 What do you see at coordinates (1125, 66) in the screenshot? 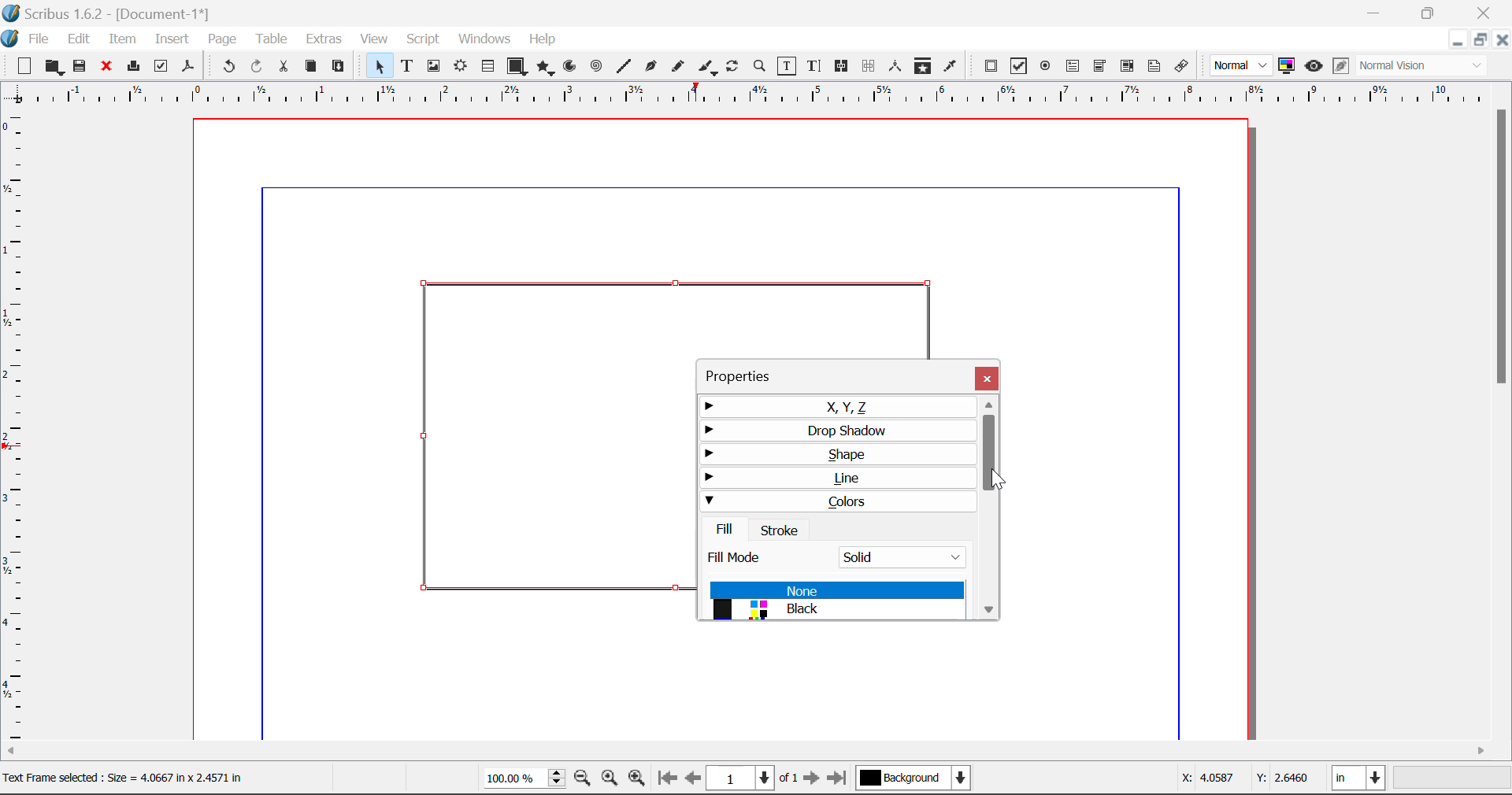
I see `Pdf Listbox` at bounding box center [1125, 66].